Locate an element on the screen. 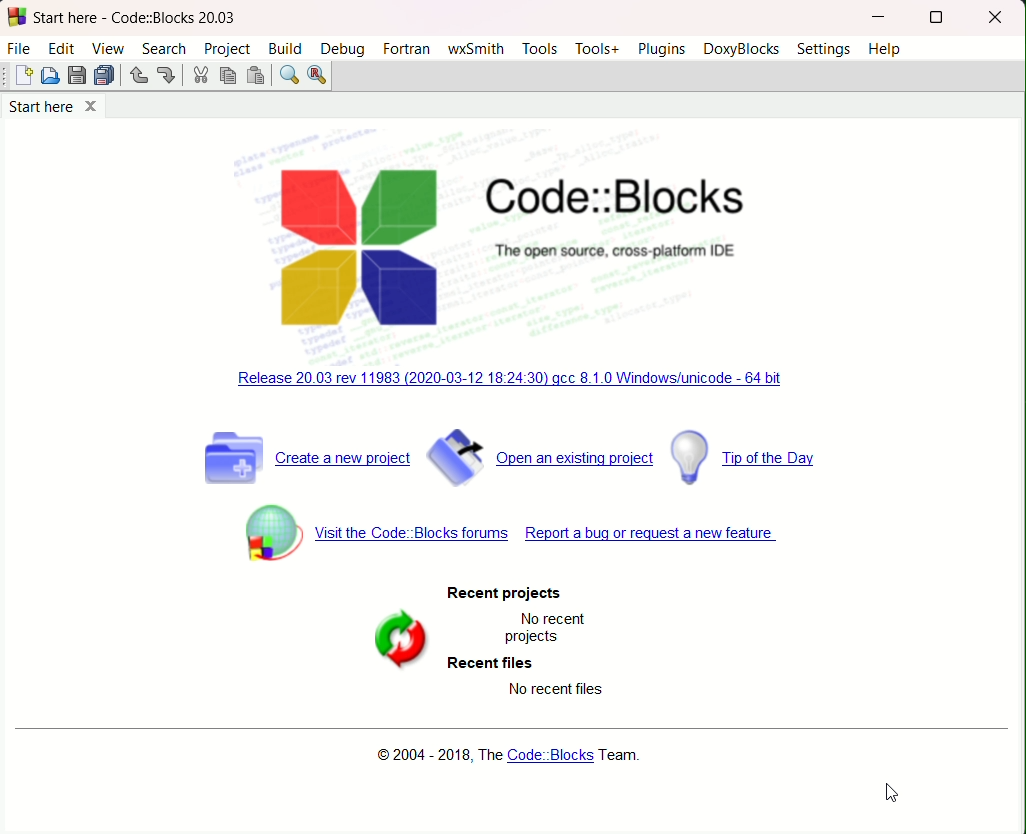 Image resolution: width=1026 pixels, height=834 pixels. minimize is located at coordinates (880, 17).